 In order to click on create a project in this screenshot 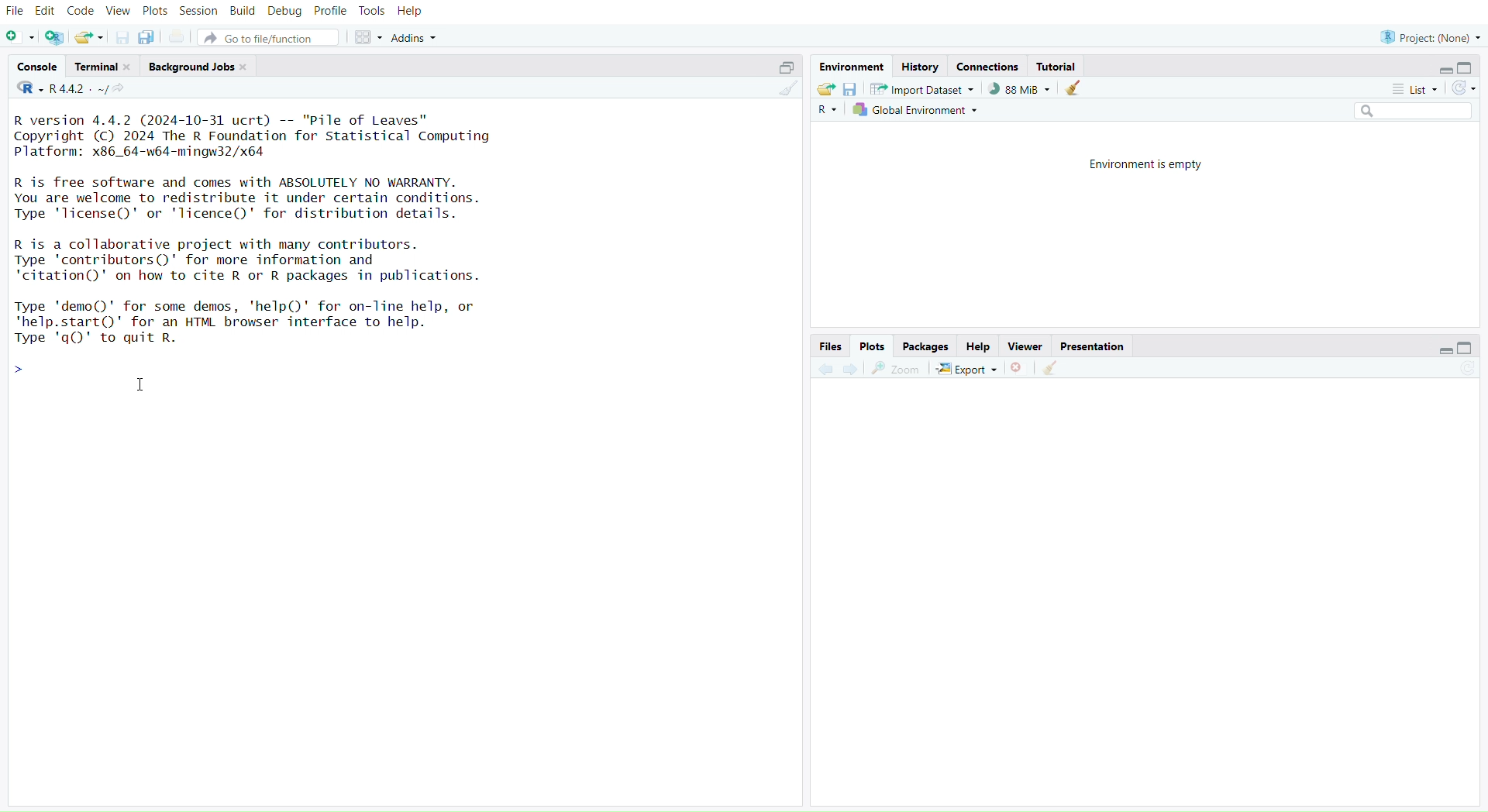, I will do `click(55, 38)`.